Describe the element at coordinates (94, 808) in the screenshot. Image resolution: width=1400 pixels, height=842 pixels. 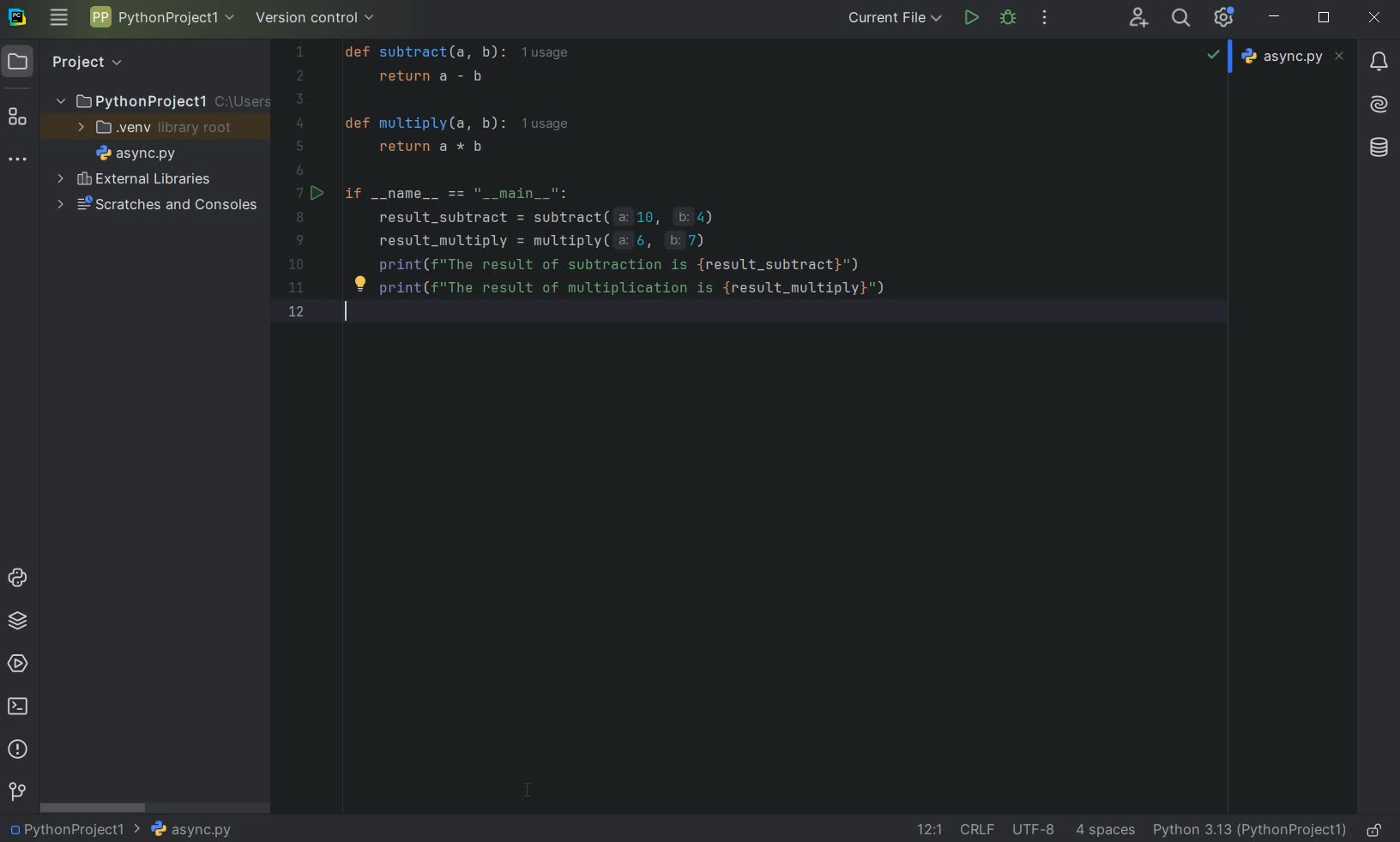
I see `scrollbar` at that location.